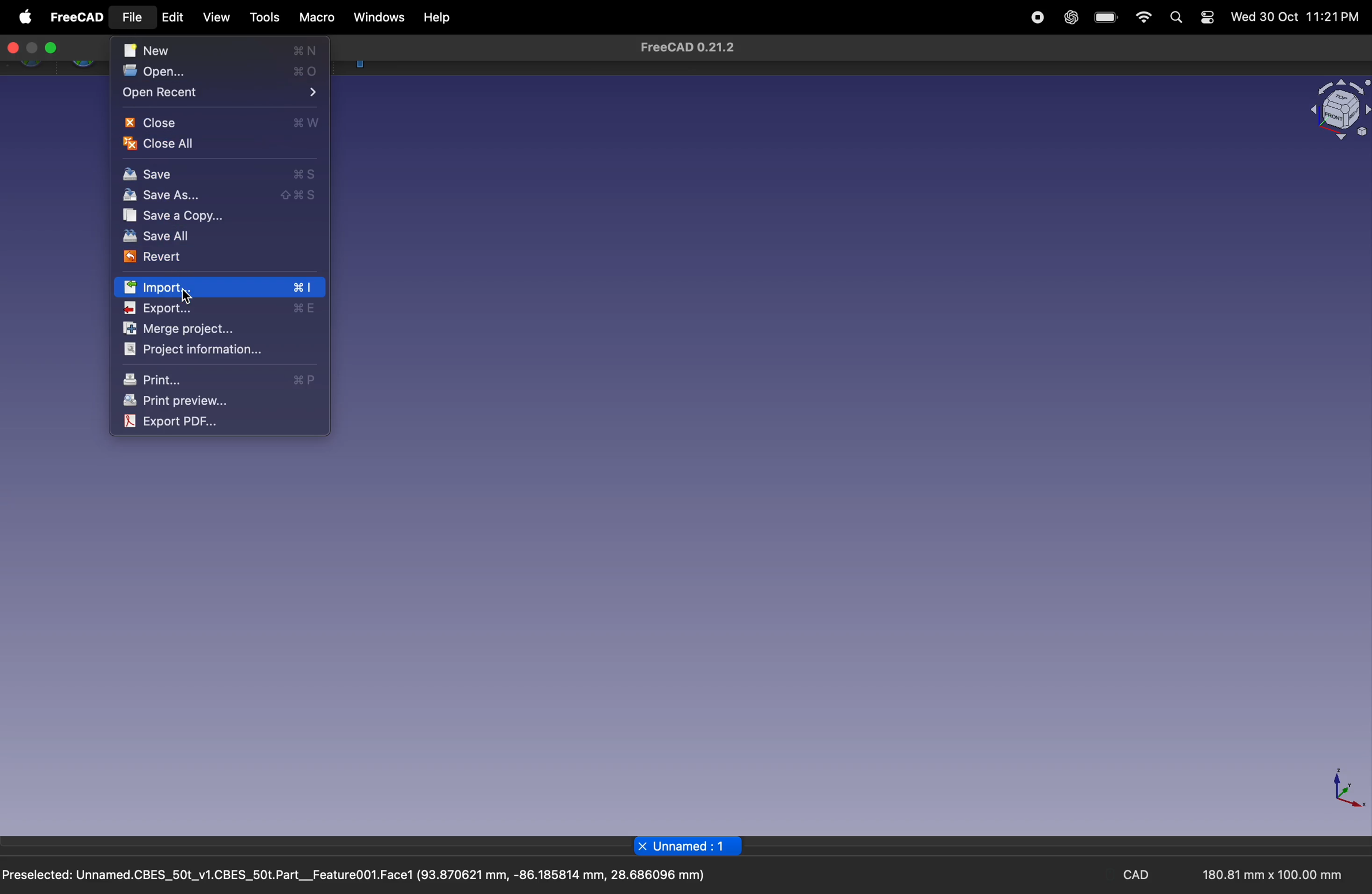  What do you see at coordinates (225, 73) in the screenshot?
I see `open` at bounding box center [225, 73].